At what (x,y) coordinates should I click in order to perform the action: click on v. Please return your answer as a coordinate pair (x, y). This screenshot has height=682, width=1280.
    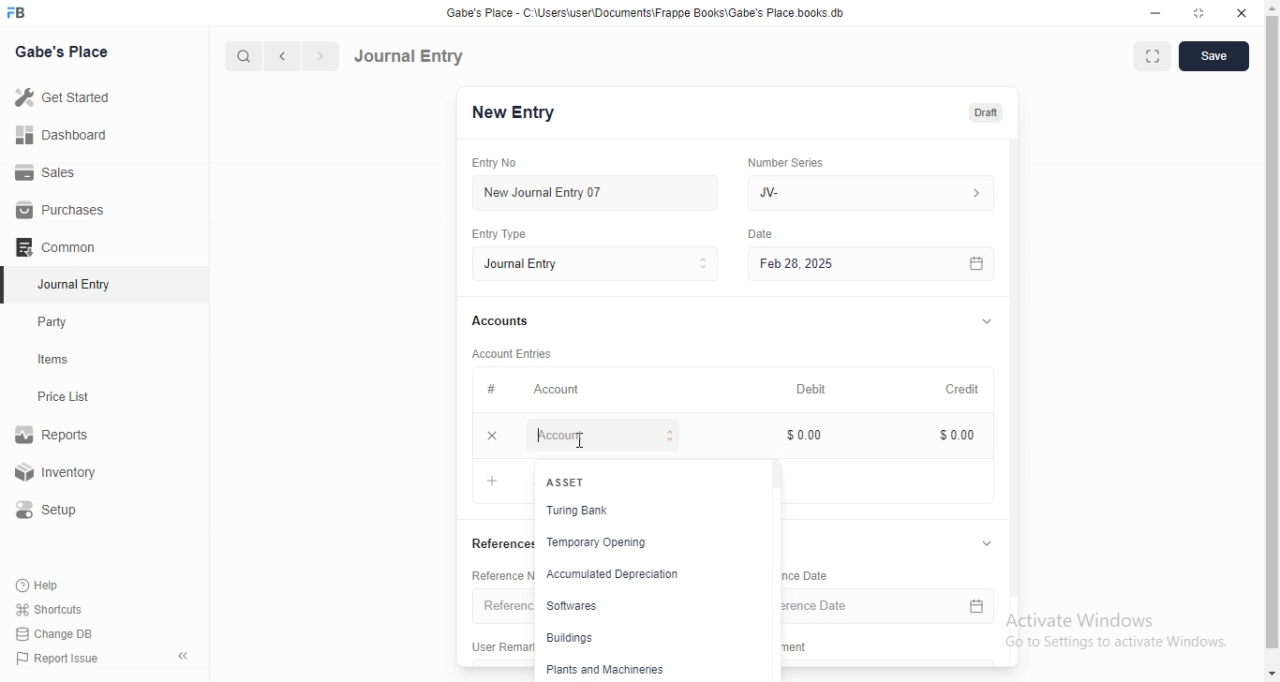
    Looking at the image, I should click on (997, 542).